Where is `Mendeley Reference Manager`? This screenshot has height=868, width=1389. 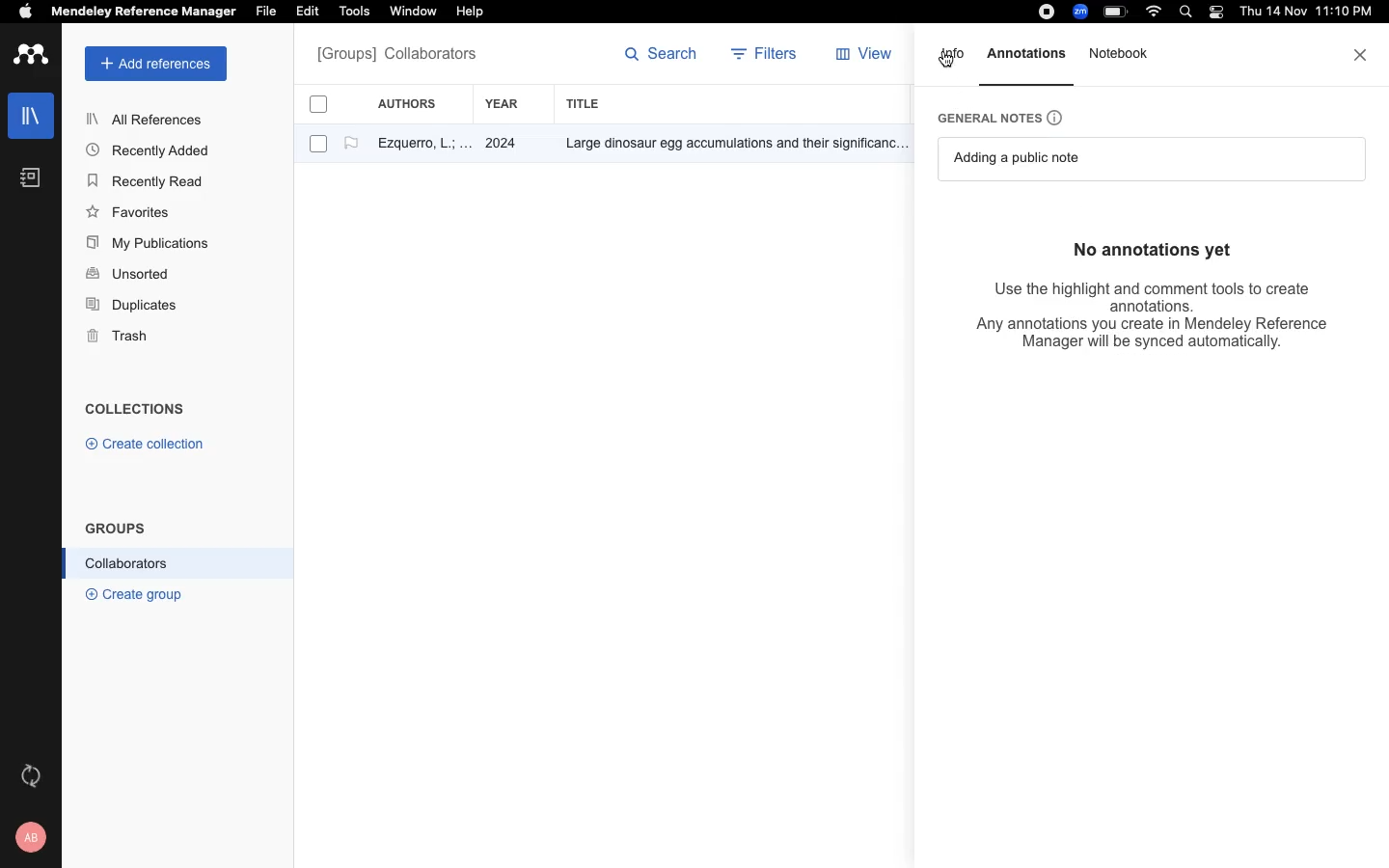
Mendeley Reference Manager is located at coordinates (144, 13).